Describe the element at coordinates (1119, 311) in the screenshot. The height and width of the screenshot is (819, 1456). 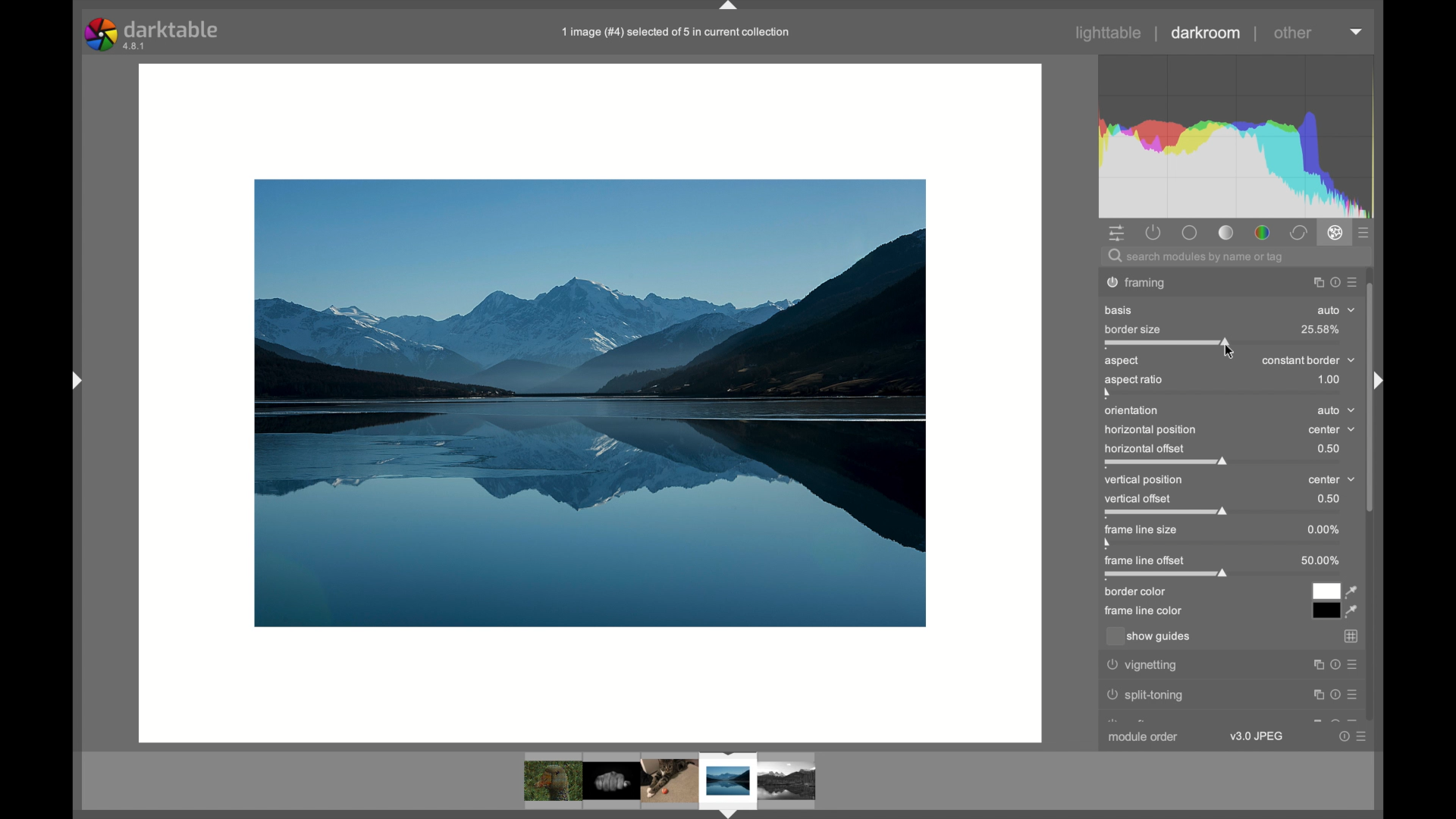
I see `basis` at that location.